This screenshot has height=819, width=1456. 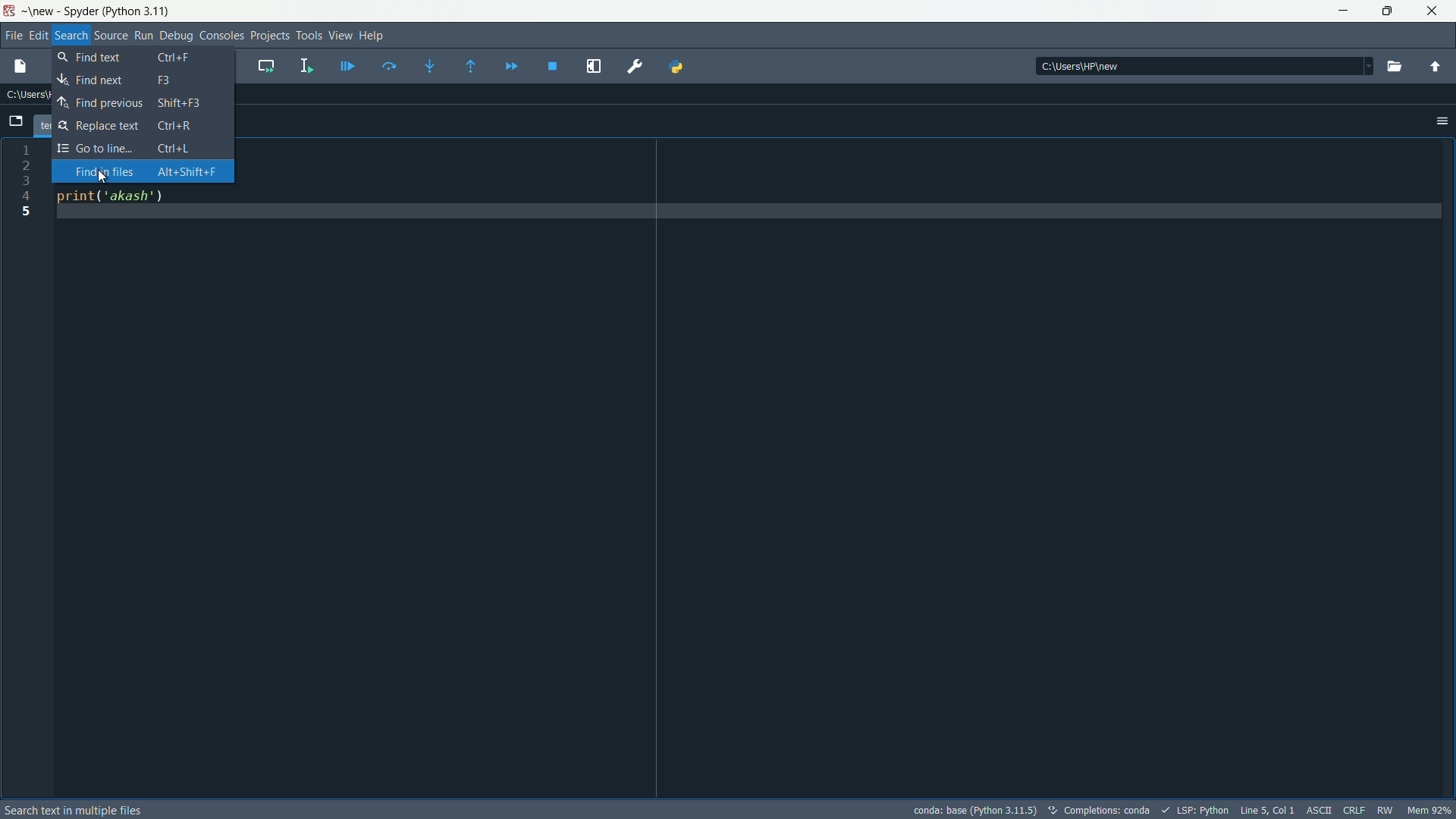 I want to click on app icon, so click(x=11, y=12).